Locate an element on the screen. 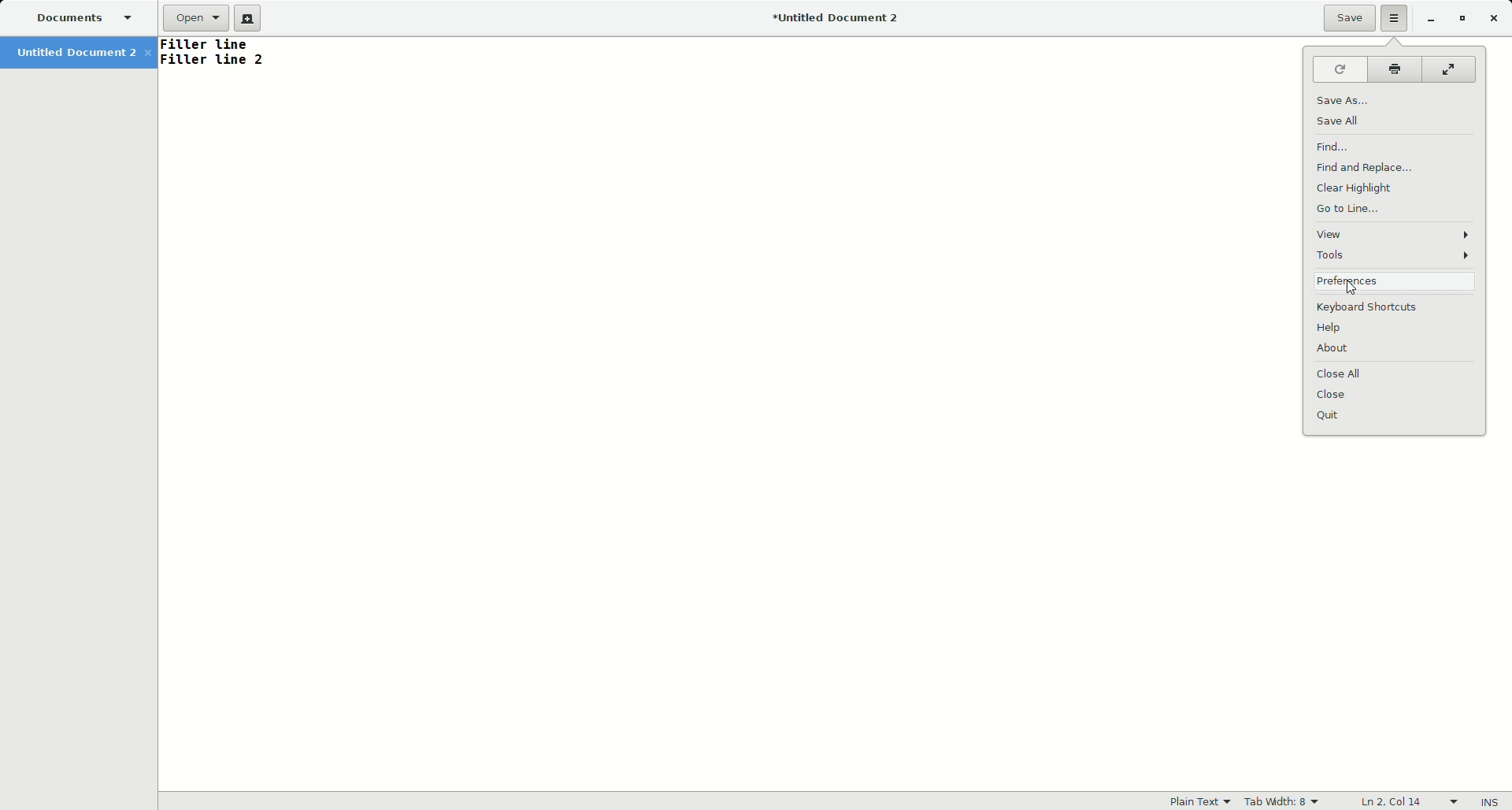 Image resolution: width=1512 pixels, height=810 pixels. Untitled Document 2 is located at coordinates (828, 20).